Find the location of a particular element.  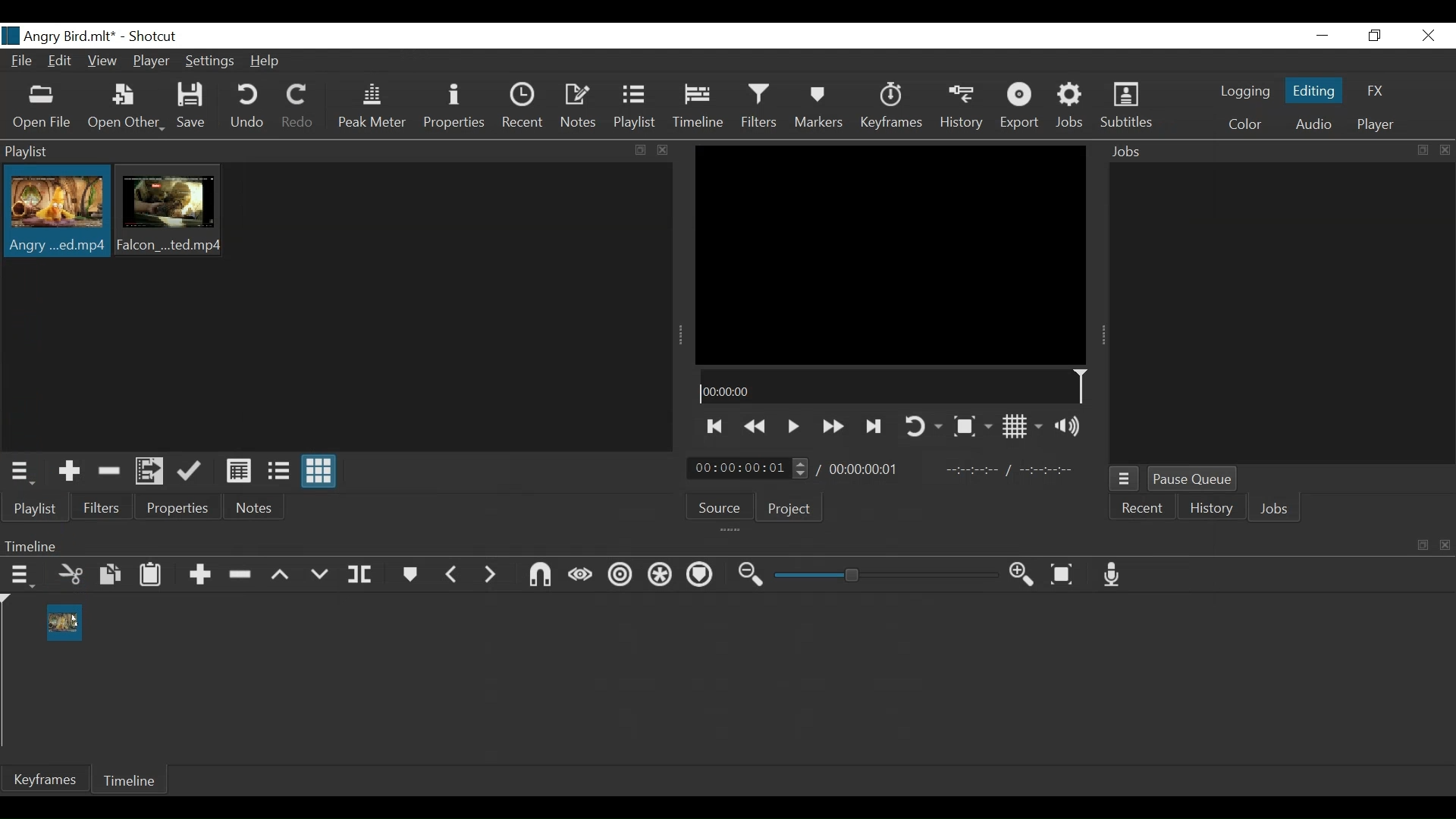

Filters is located at coordinates (102, 507).